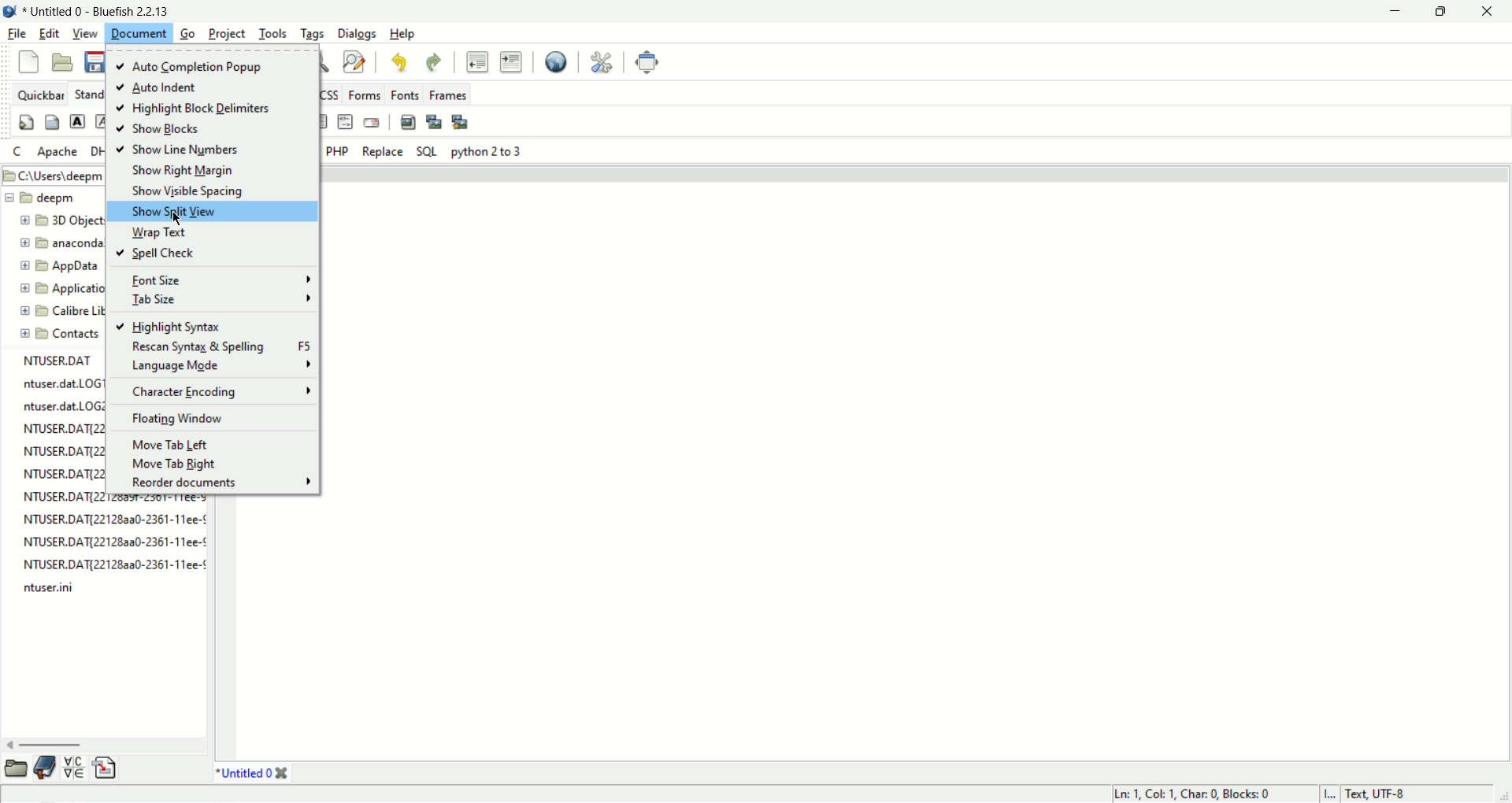 This screenshot has height=803, width=1512. I want to click on highligh block delimiters, so click(194, 108).